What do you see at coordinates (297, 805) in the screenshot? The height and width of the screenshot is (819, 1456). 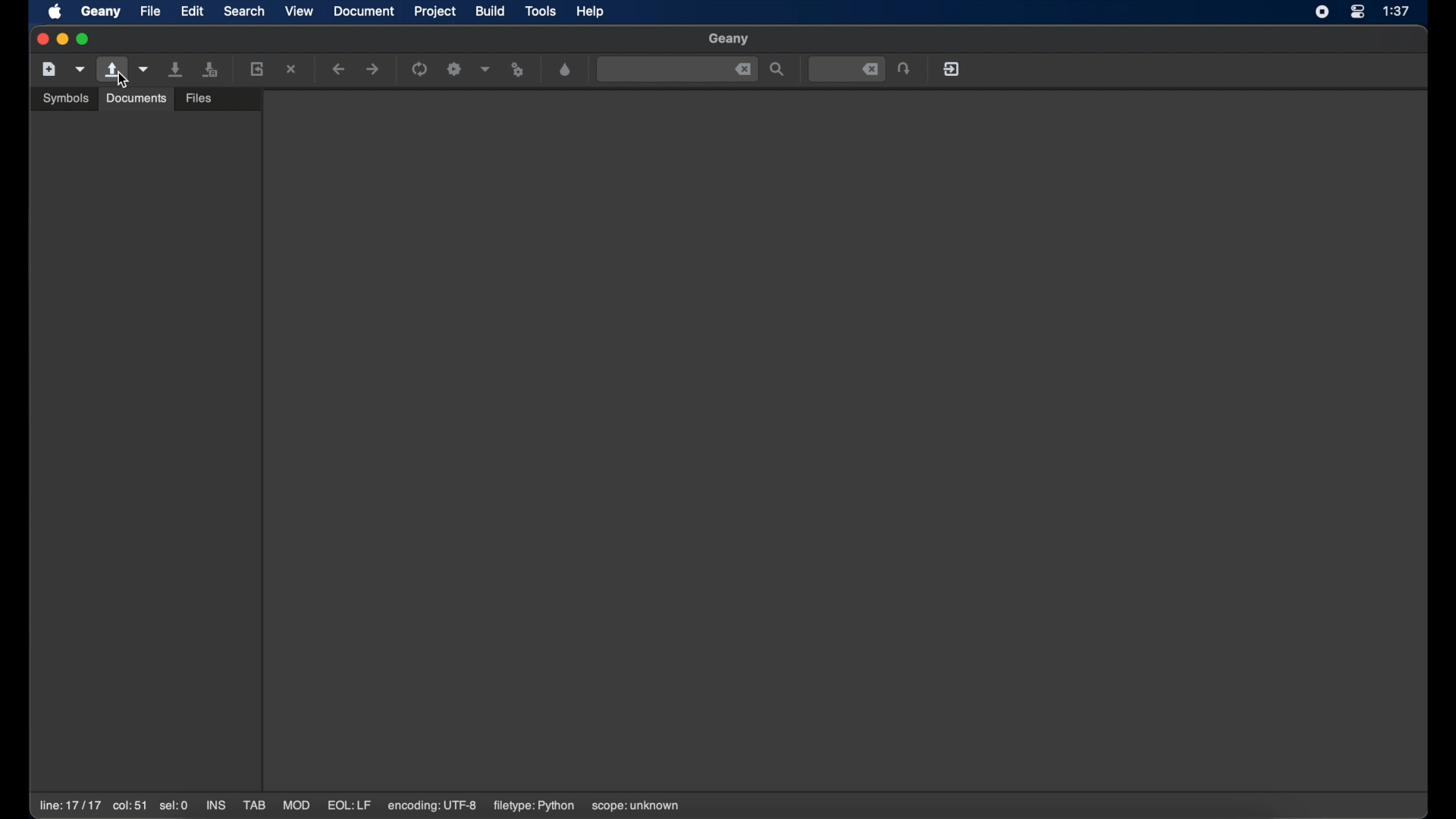 I see `MOD` at bounding box center [297, 805].